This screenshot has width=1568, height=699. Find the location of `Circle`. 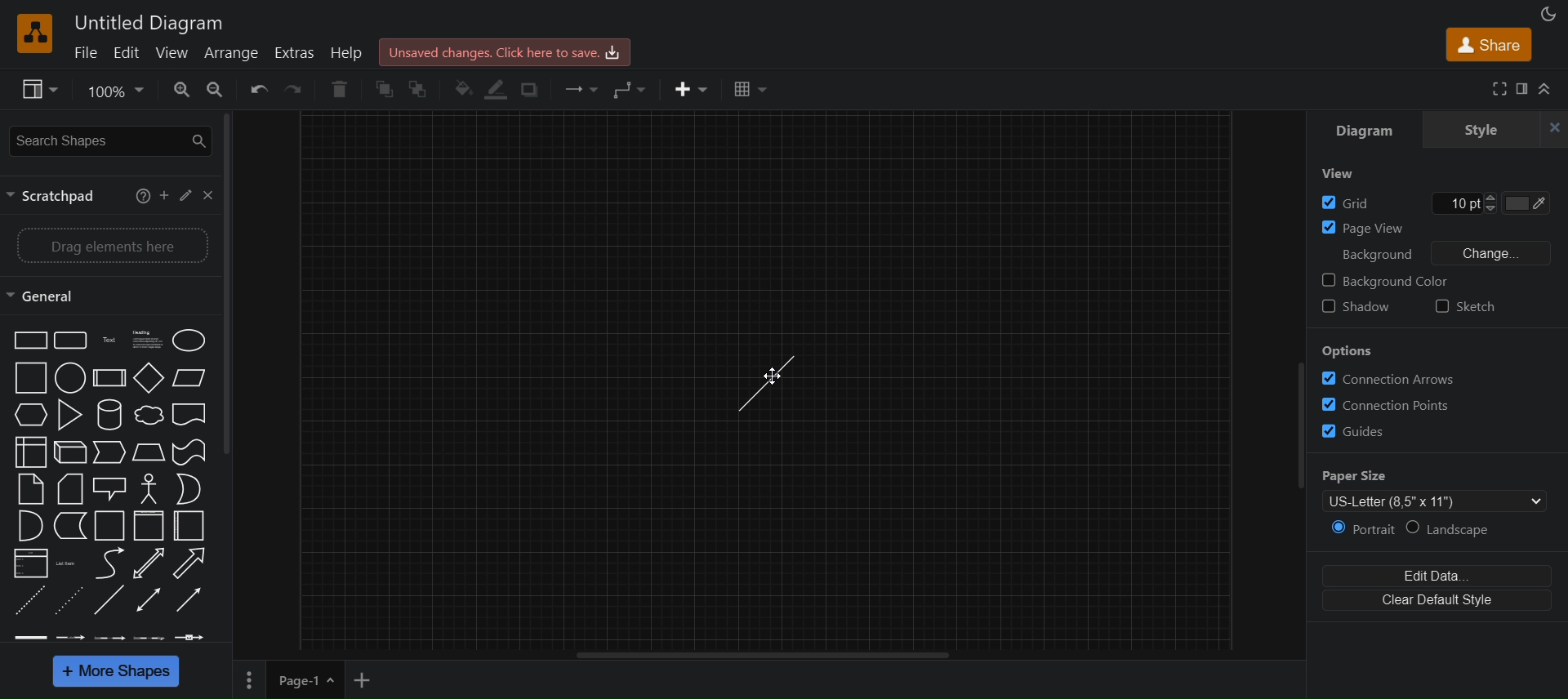

Circle is located at coordinates (69, 378).